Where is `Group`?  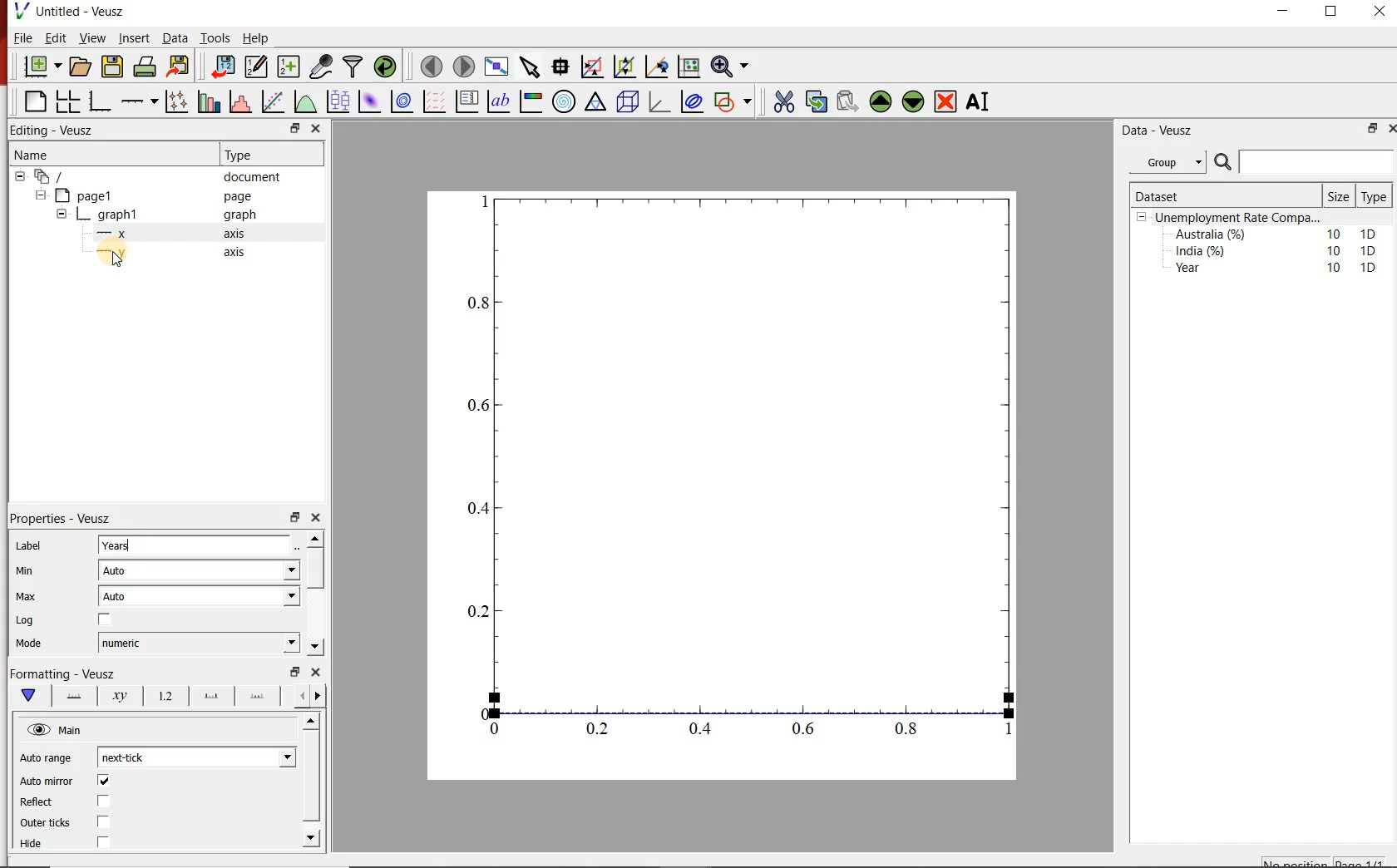 Group is located at coordinates (1170, 162).